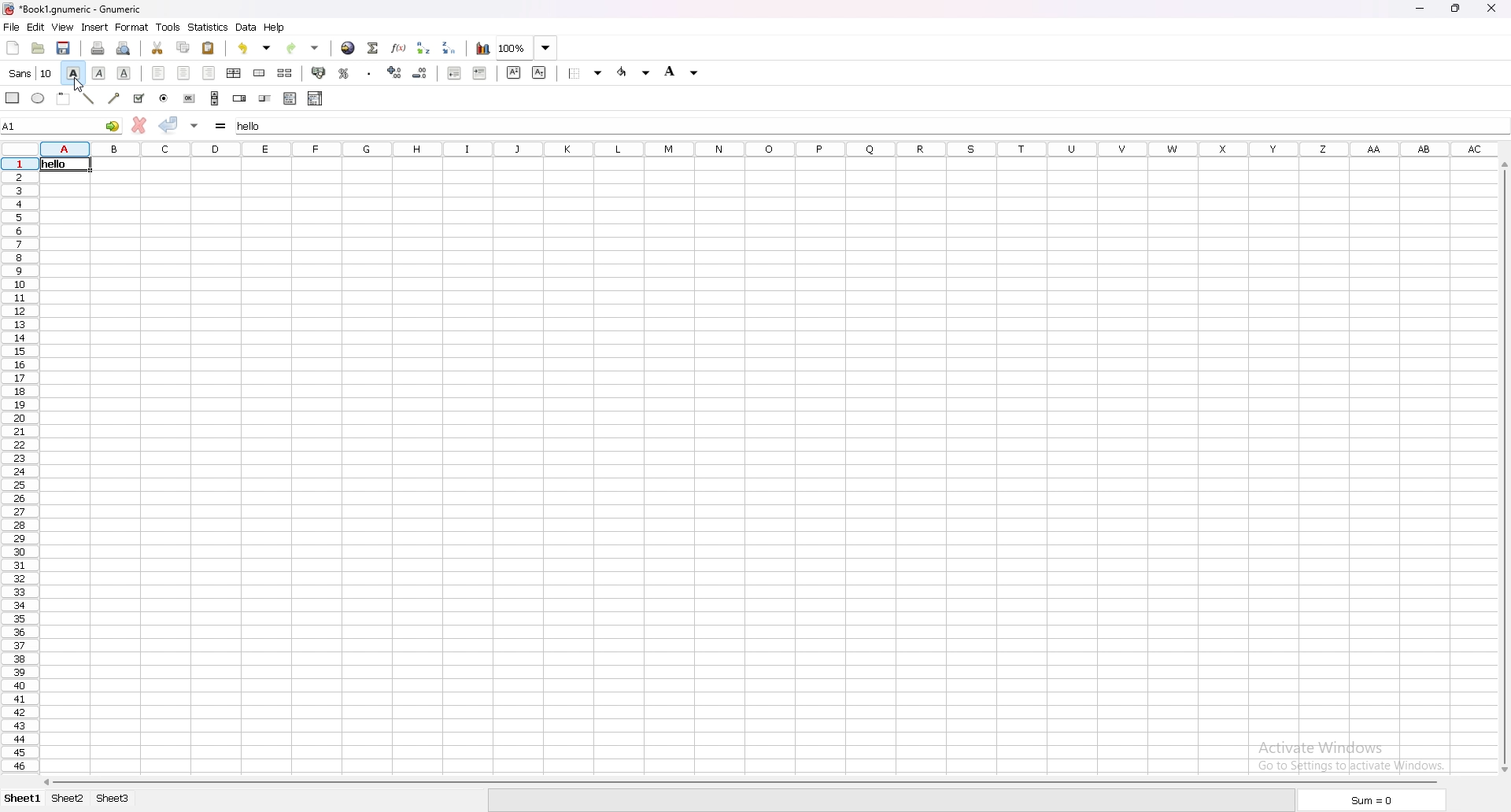 This screenshot has height=812, width=1511. Describe the element at coordinates (275, 29) in the screenshot. I see `help` at that location.